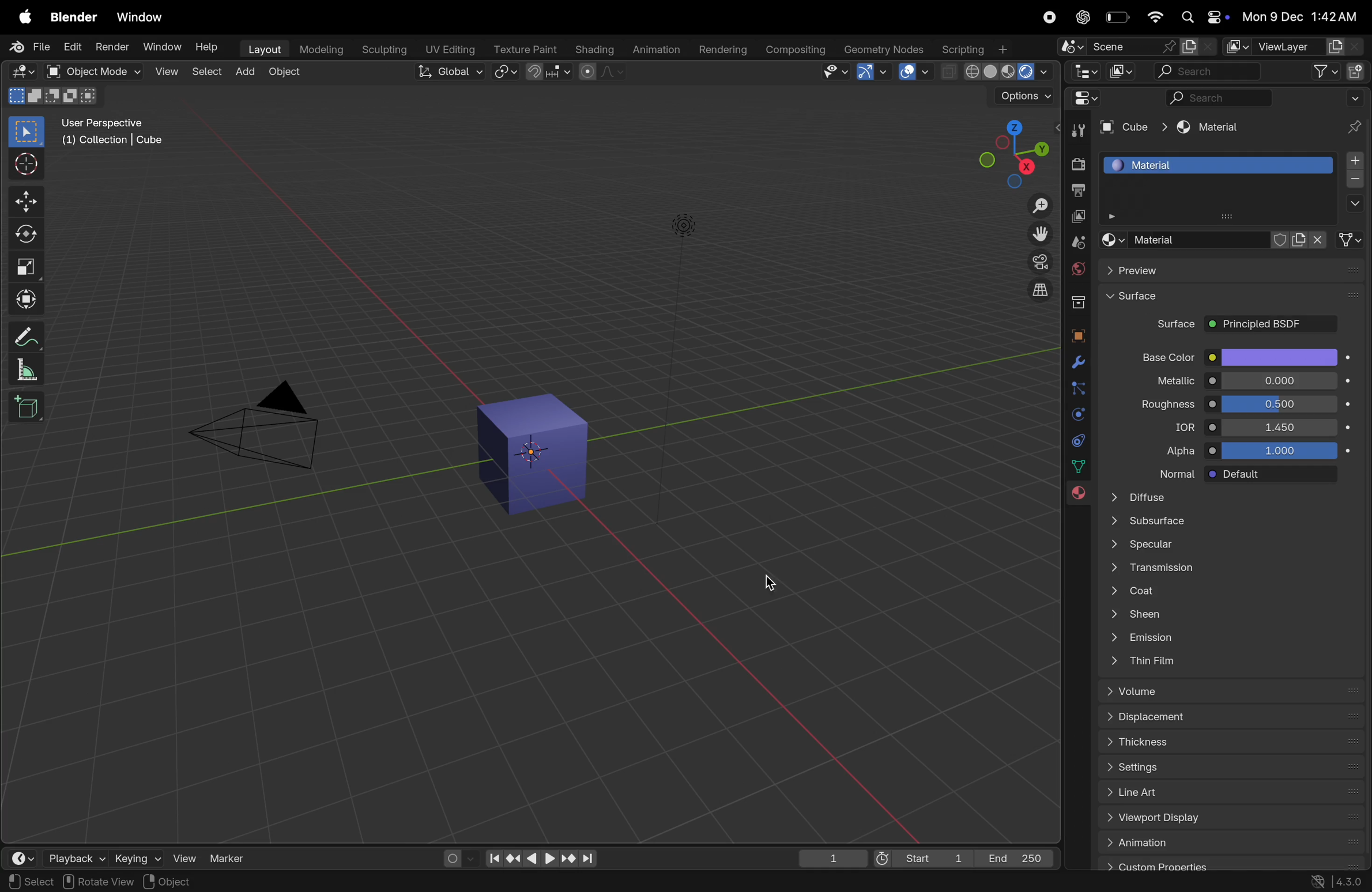 The image size is (1372, 892). What do you see at coordinates (22, 337) in the screenshot?
I see `annotate` at bounding box center [22, 337].